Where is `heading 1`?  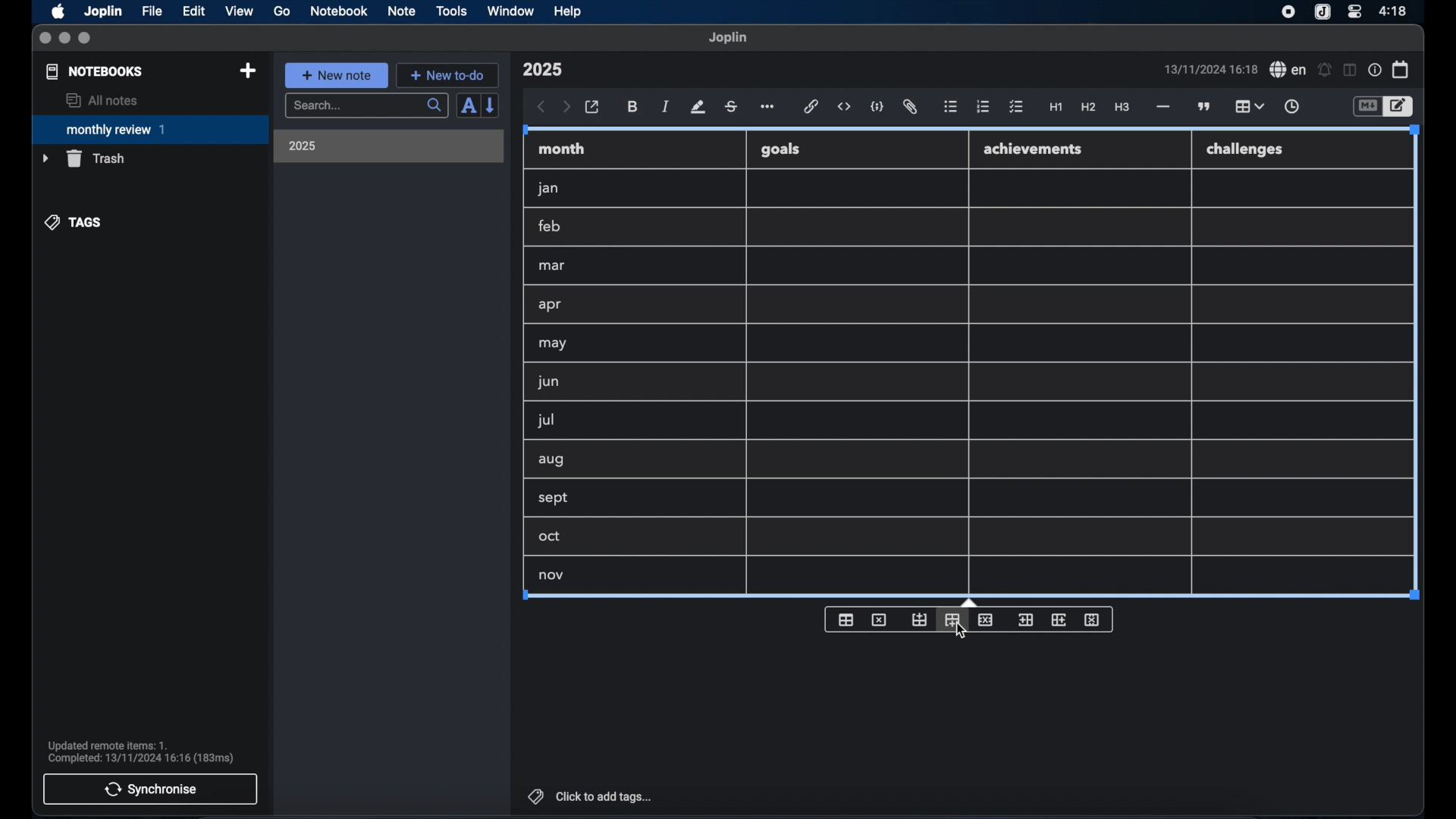
heading 1 is located at coordinates (1056, 108).